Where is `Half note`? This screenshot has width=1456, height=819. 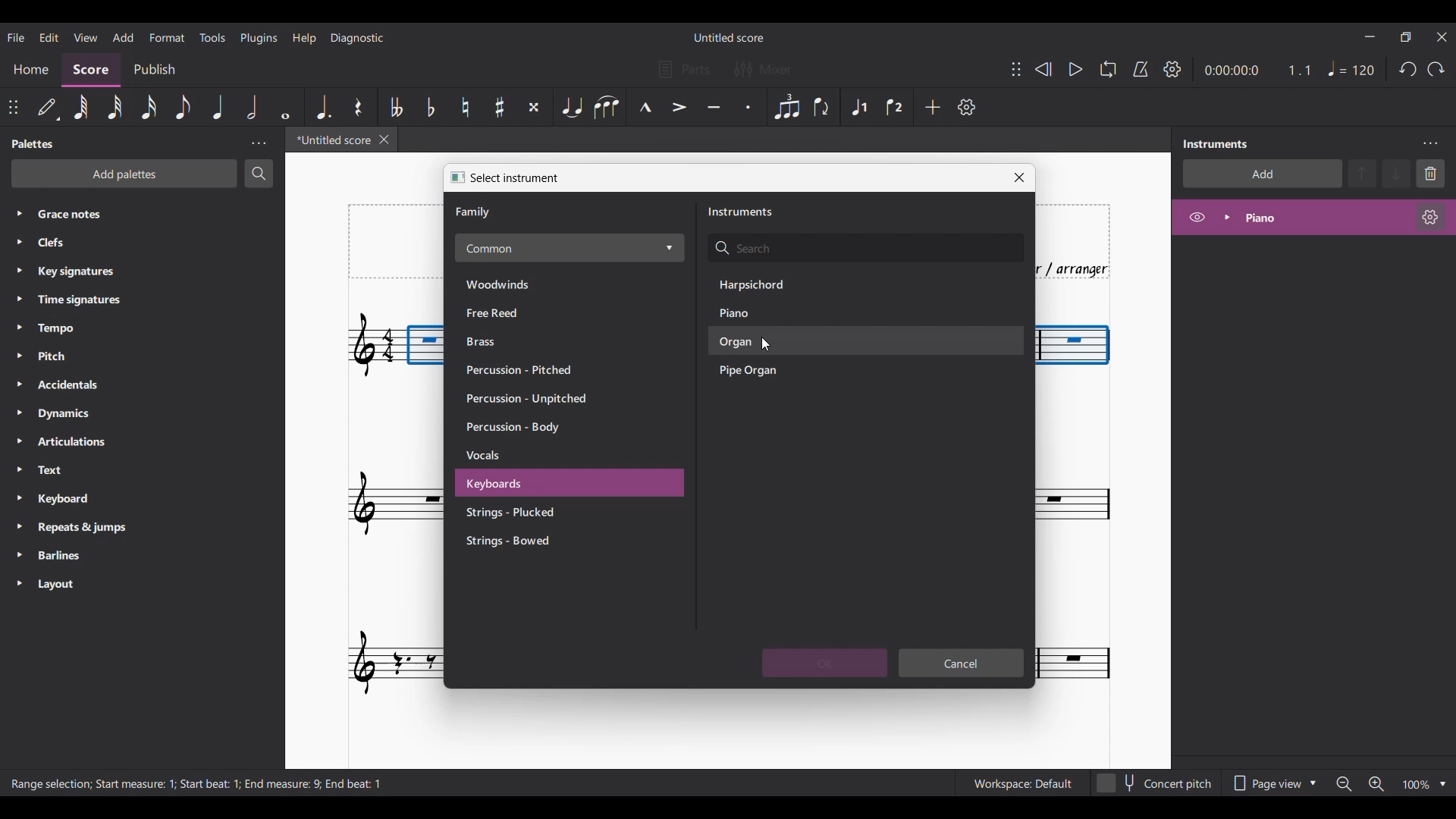 Half note is located at coordinates (251, 107).